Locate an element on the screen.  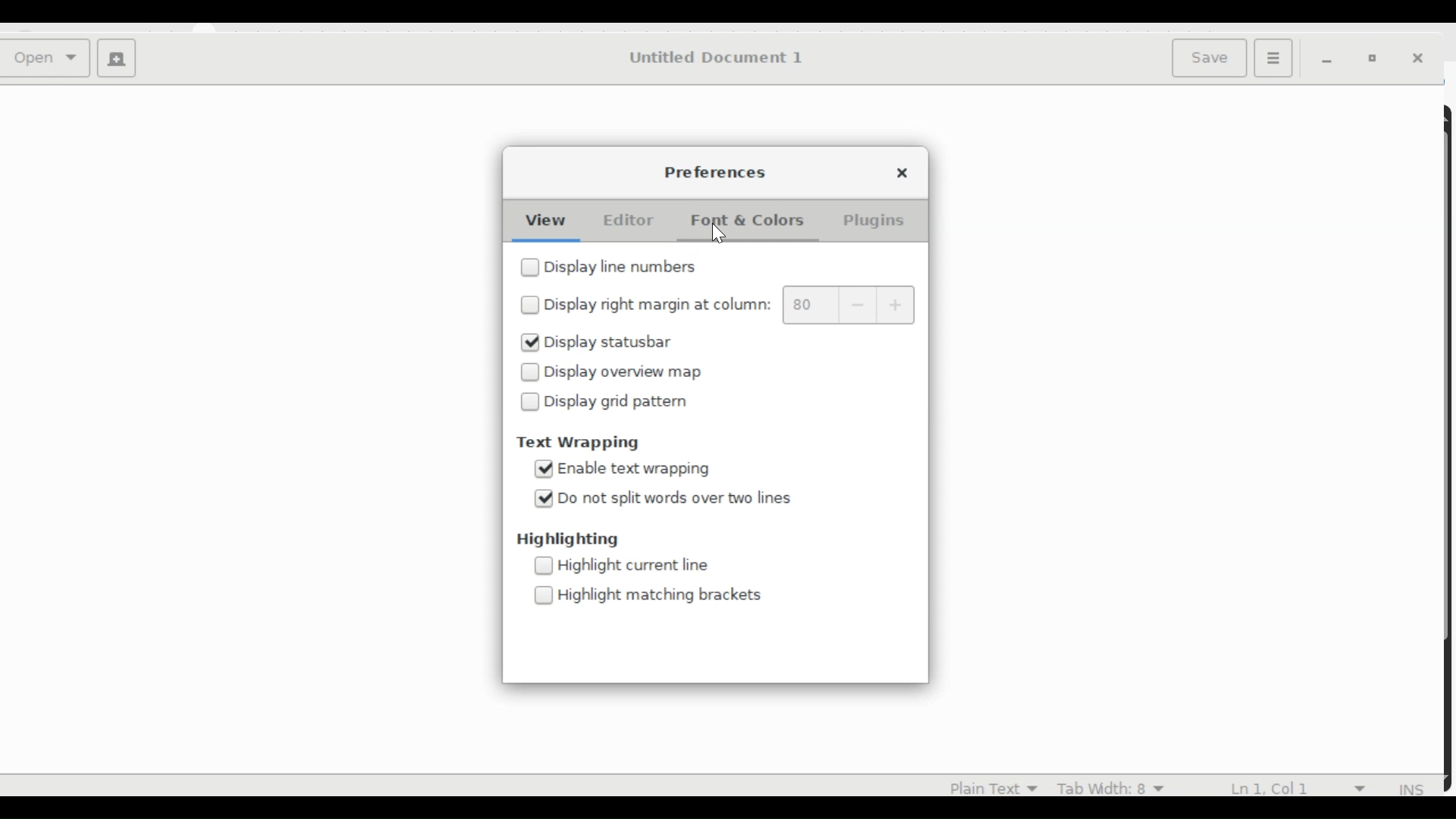
Untitled Document 1 is located at coordinates (714, 58).